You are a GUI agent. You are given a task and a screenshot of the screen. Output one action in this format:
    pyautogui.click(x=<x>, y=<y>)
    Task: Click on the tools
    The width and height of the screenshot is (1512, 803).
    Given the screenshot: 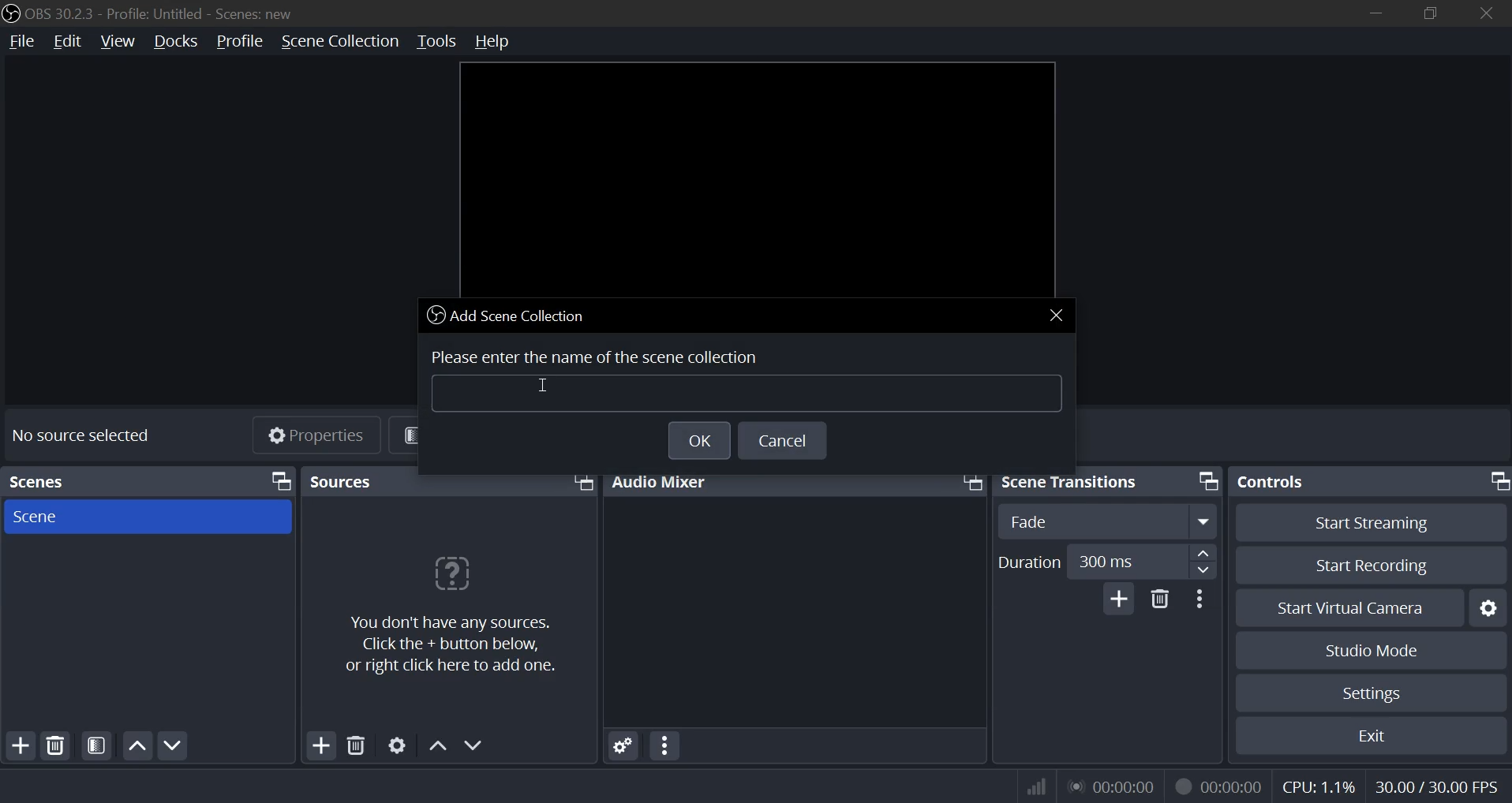 What is the action you would take?
    pyautogui.click(x=436, y=42)
    